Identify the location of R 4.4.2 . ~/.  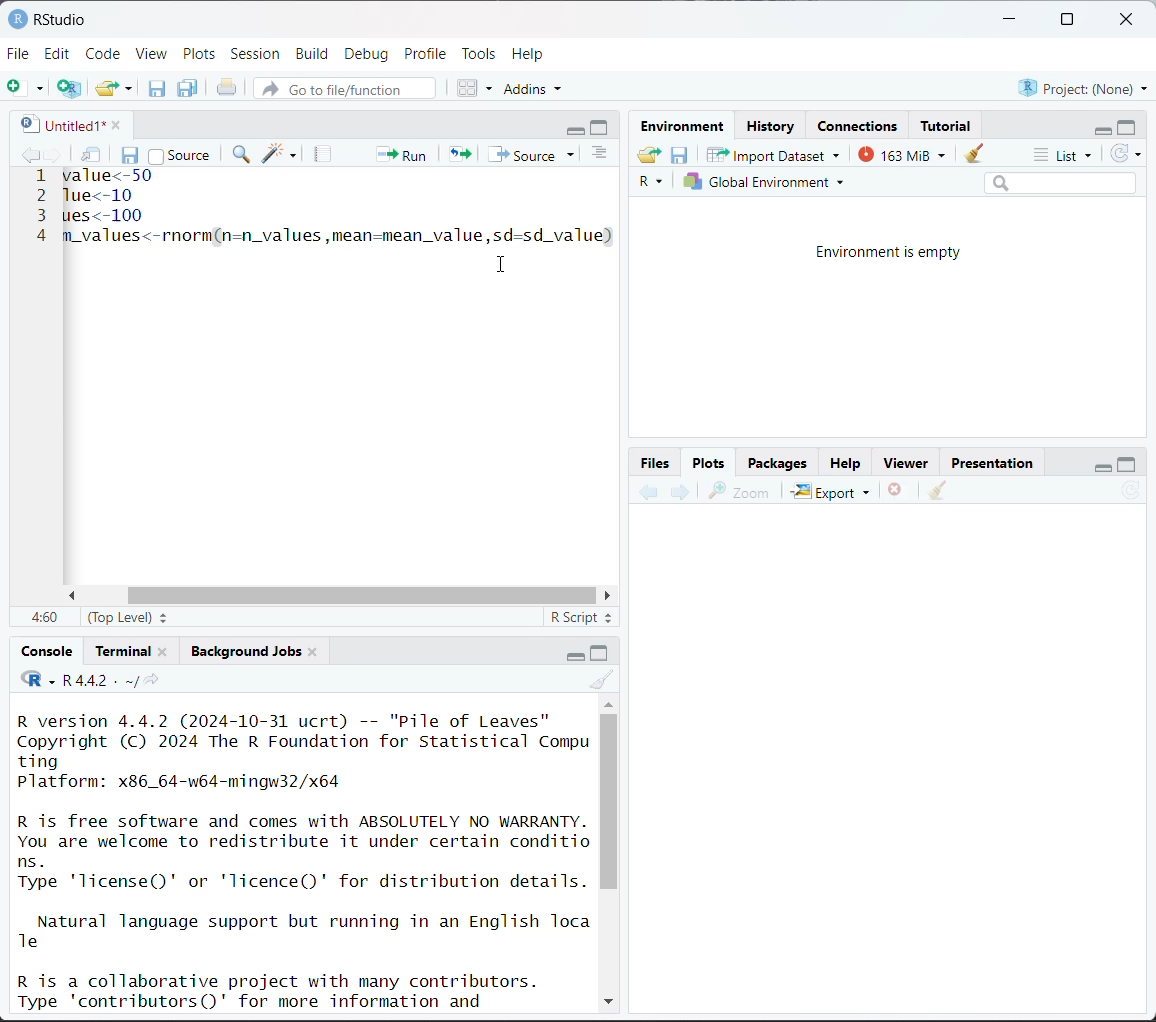
(99, 680).